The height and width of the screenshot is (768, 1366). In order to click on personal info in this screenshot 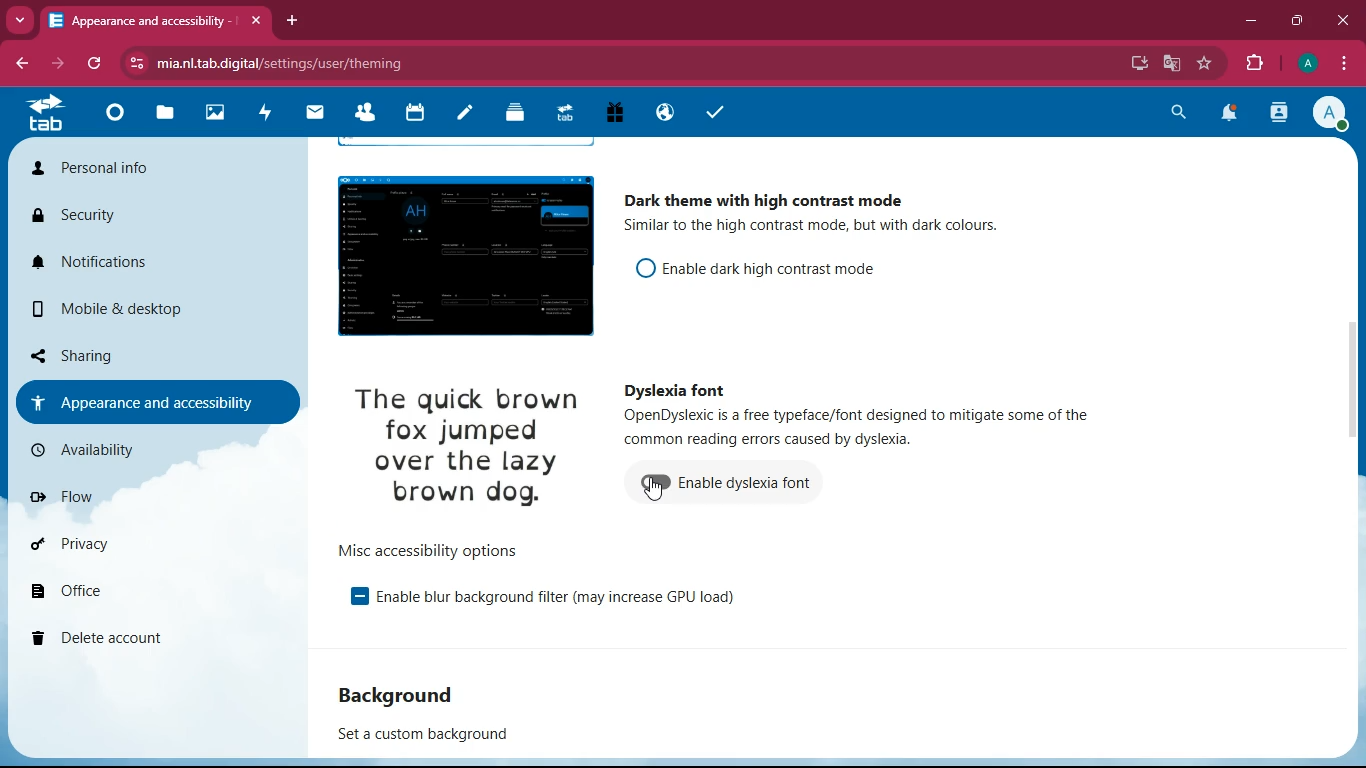, I will do `click(141, 167)`.